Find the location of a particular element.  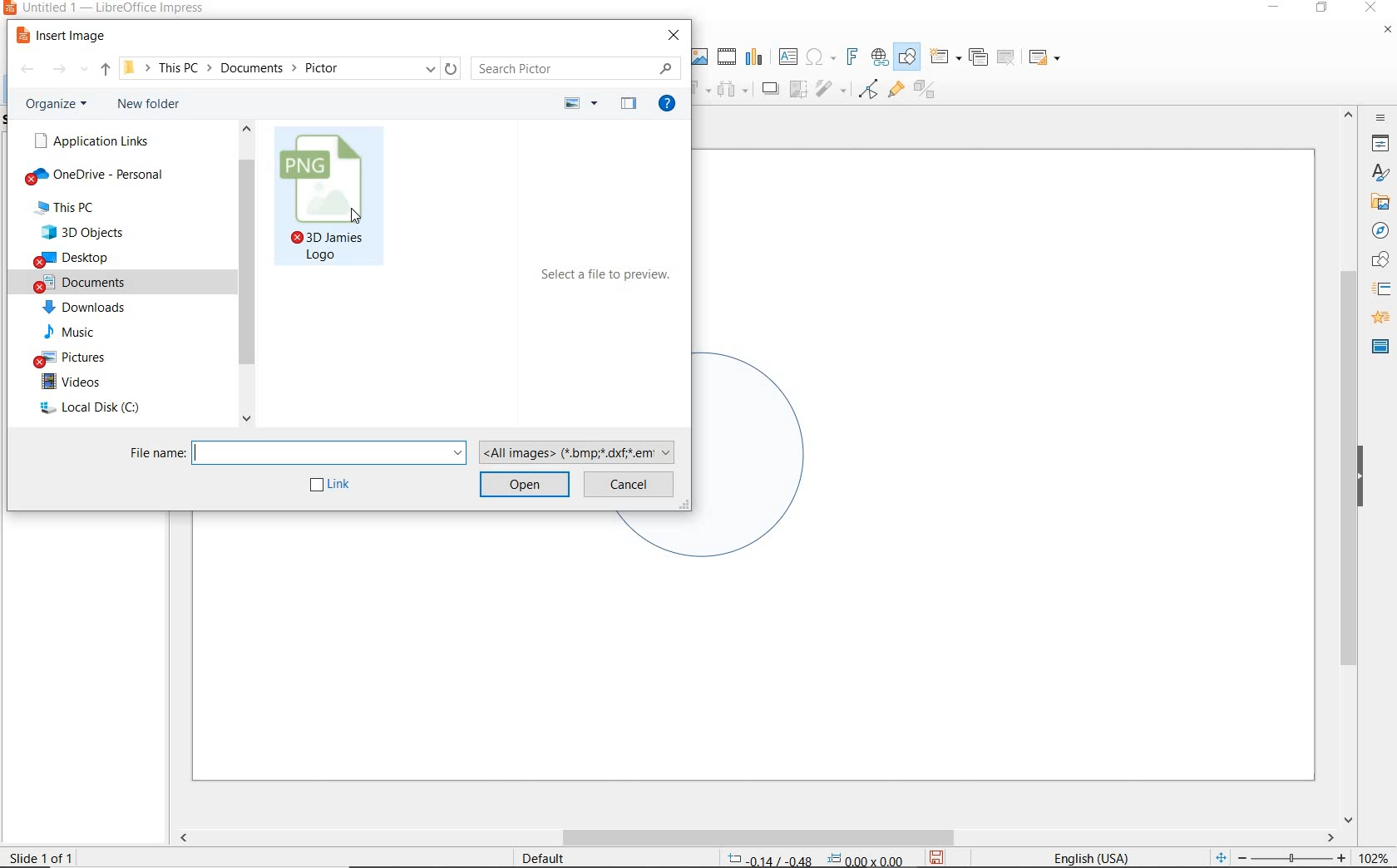

Application links is located at coordinates (89, 141).